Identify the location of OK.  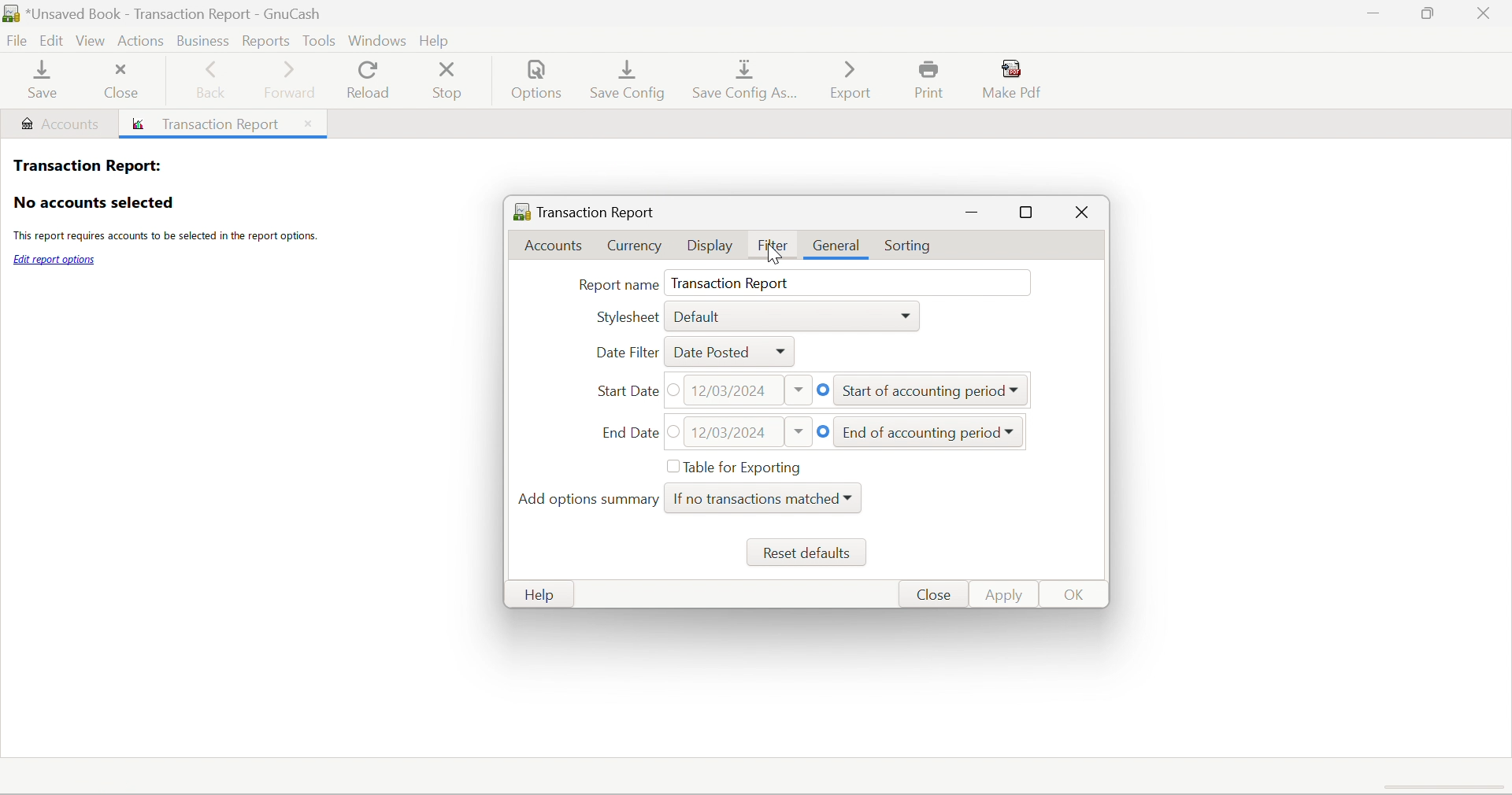
(1076, 596).